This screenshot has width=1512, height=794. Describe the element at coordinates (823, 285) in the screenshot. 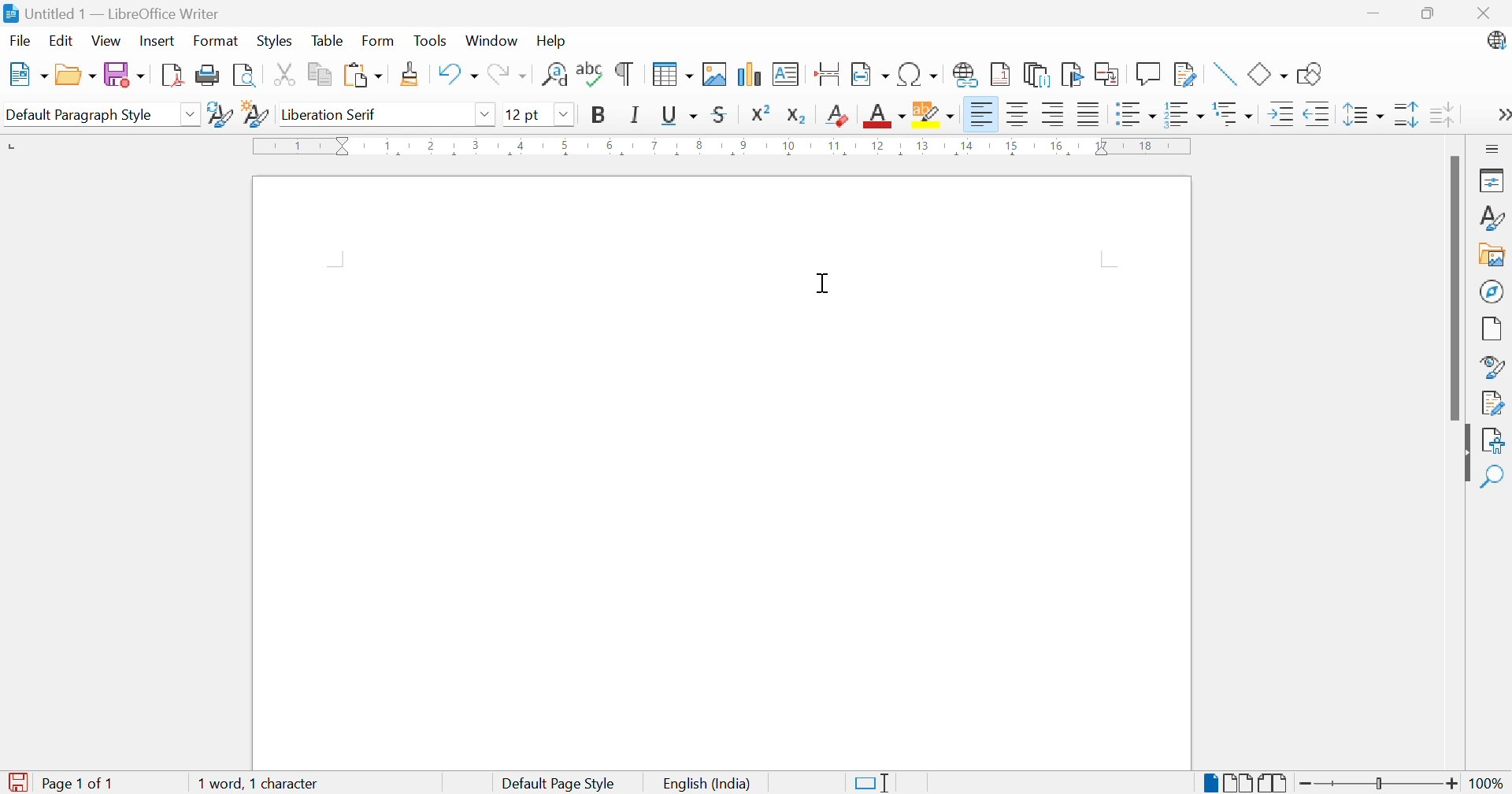

I see `Type Cursor` at that location.